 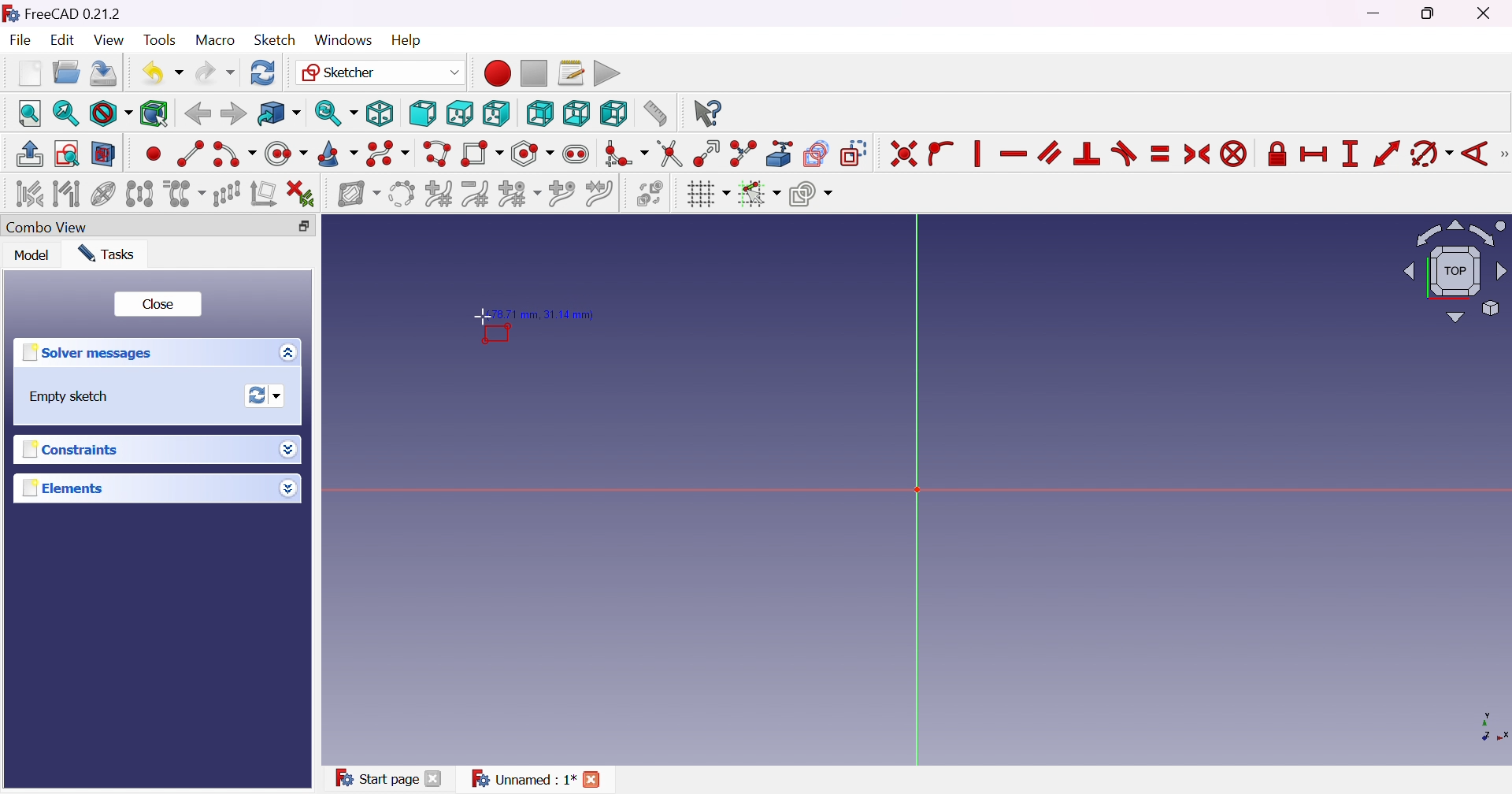 What do you see at coordinates (105, 154) in the screenshot?
I see `View section` at bounding box center [105, 154].